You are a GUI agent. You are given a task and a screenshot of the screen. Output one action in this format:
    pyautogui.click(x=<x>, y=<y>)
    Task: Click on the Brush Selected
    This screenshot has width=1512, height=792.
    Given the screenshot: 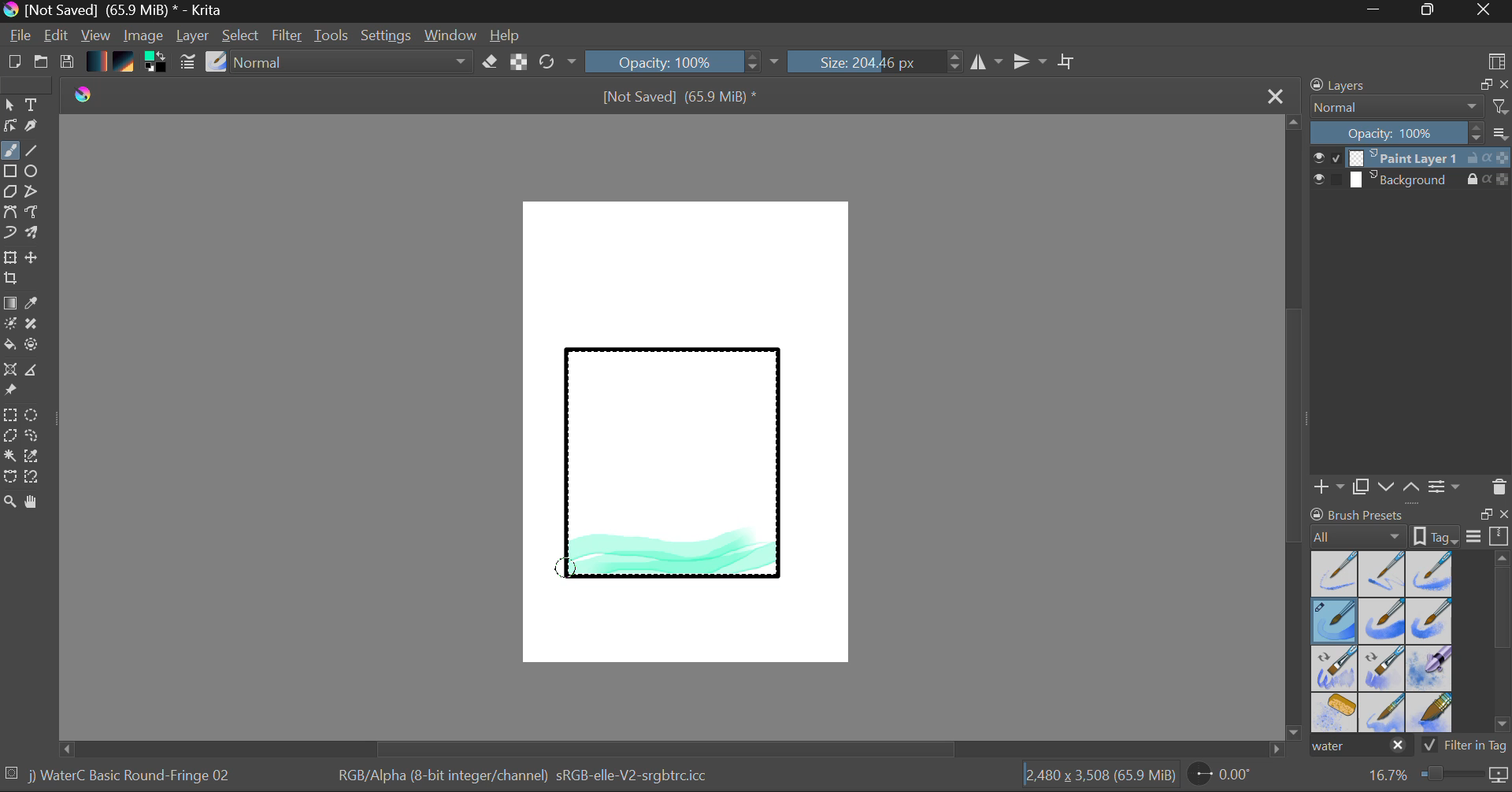 What is the action you would take?
    pyautogui.click(x=1336, y=622)
    